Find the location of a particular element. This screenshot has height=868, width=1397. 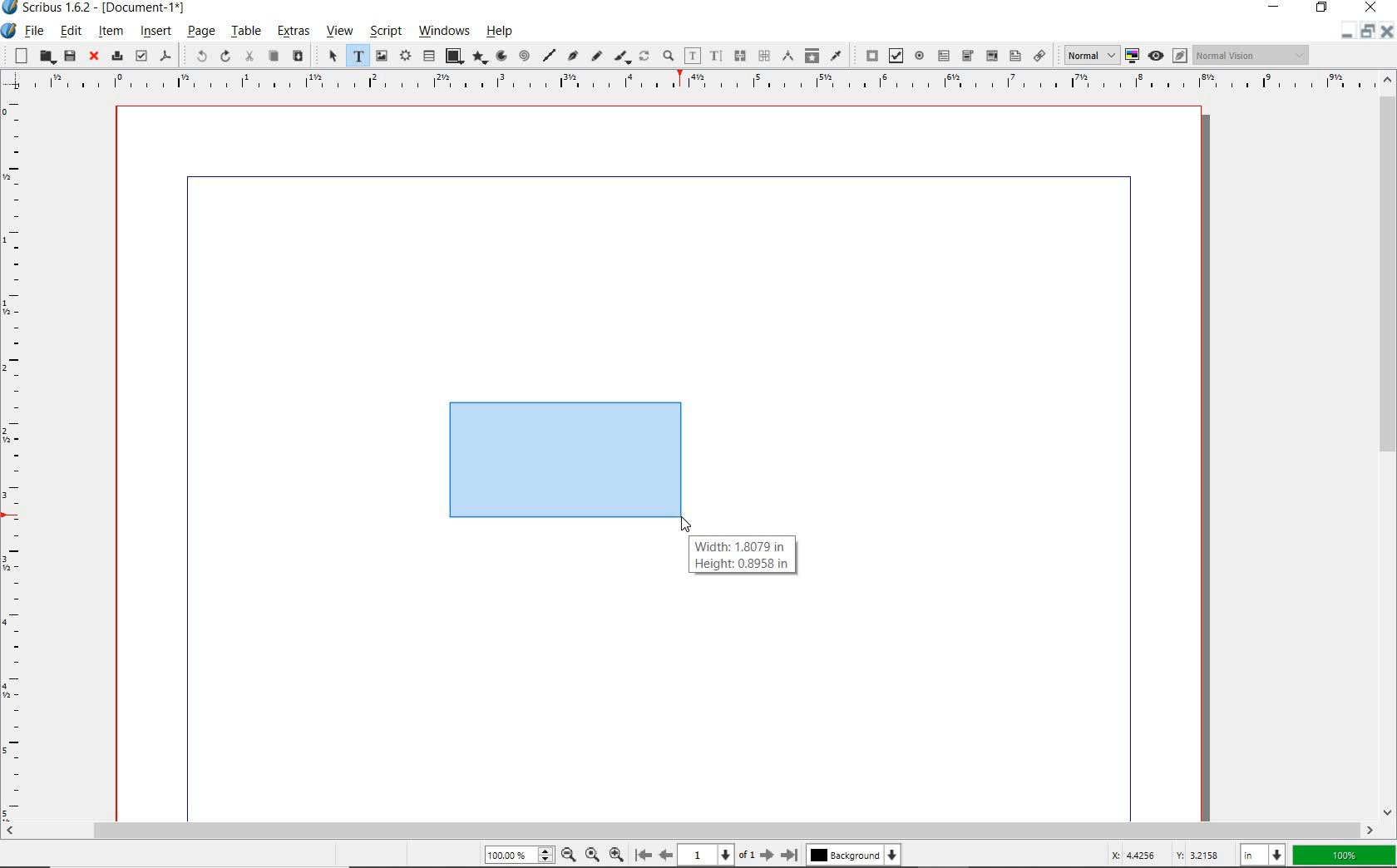

pdf combo box is located at coordinates (967, 57).